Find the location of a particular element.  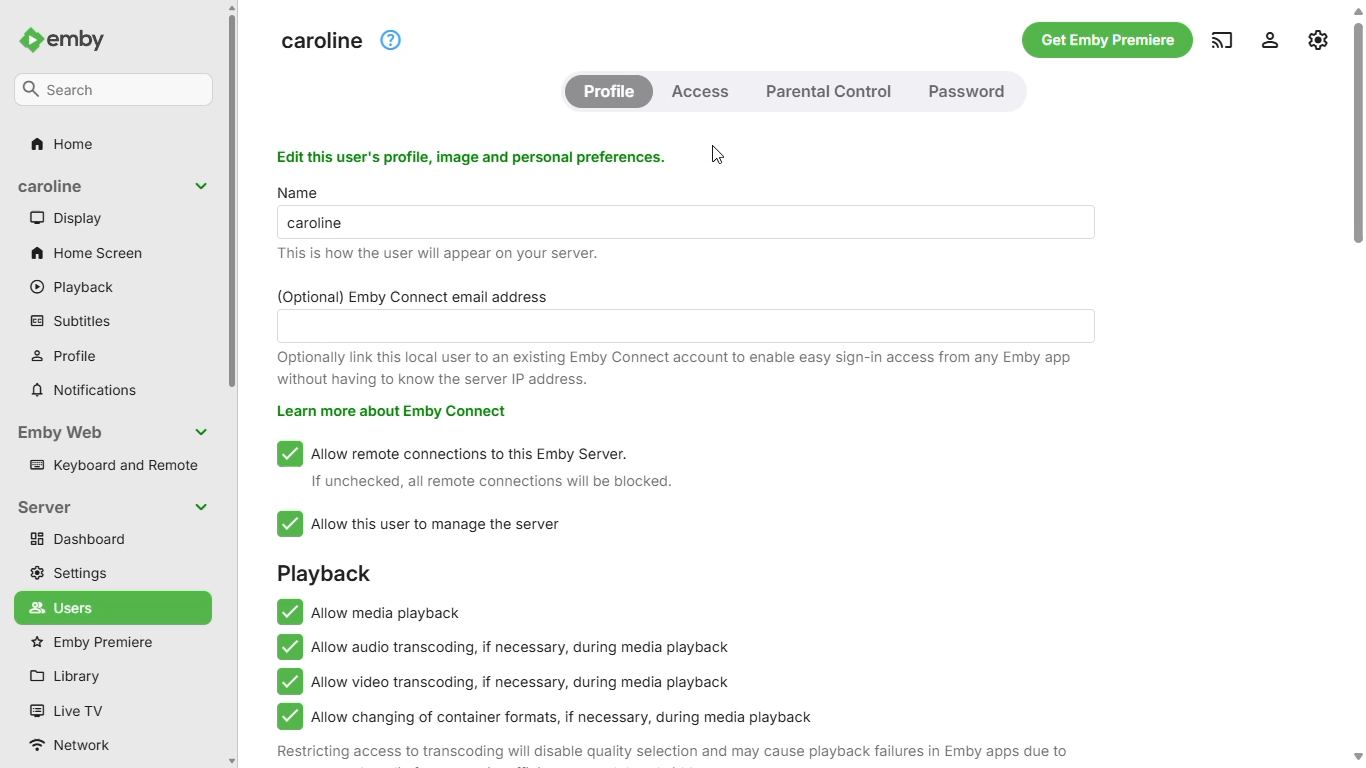

play on another device is located at coordinates (1223, 39).